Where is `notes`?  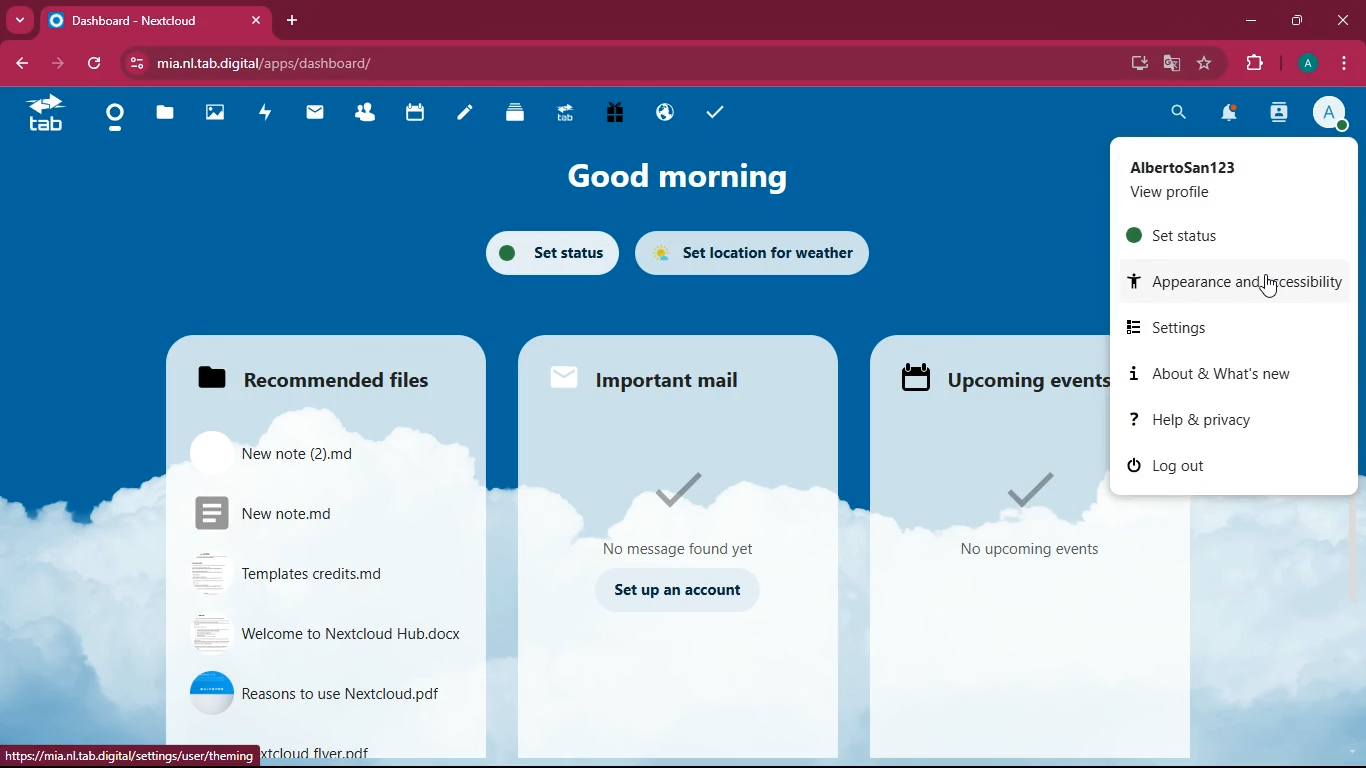 notes is located at coordinates (464, 114).